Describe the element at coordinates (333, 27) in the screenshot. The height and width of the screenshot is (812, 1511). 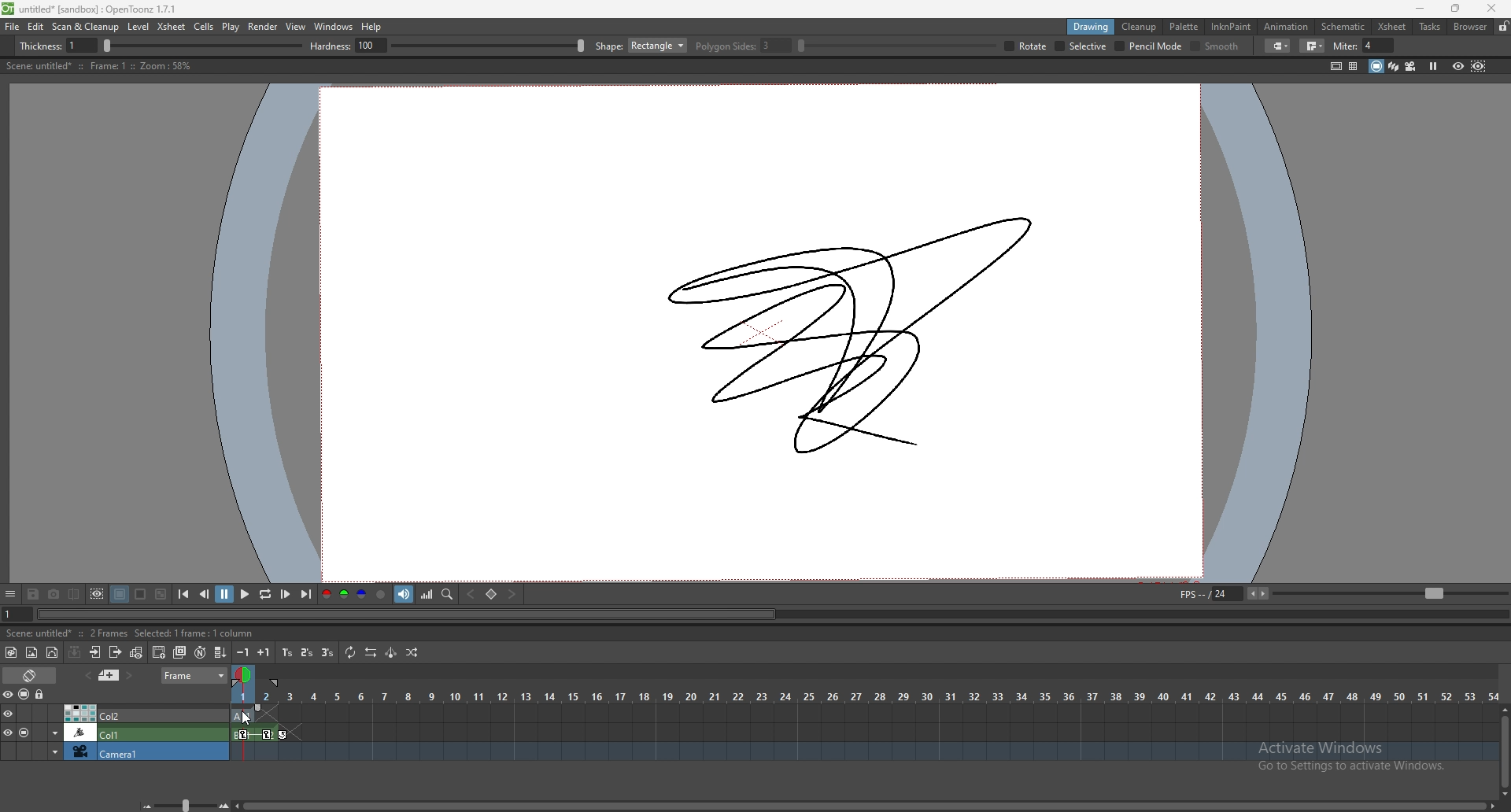
I see `windows` at that location.